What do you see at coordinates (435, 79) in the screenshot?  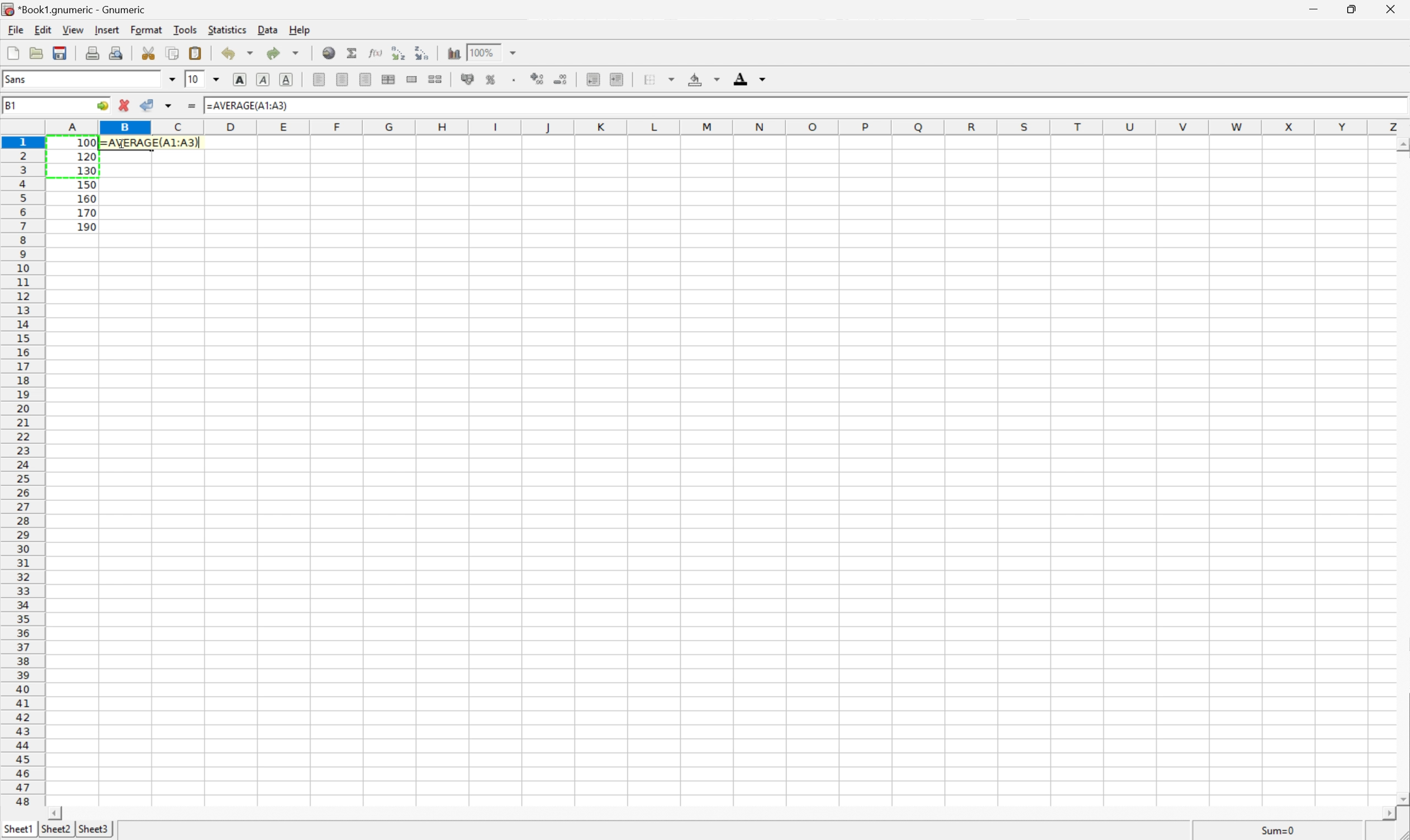 I see `Split the ranges of merged cells` at bounding box center [435, 79].